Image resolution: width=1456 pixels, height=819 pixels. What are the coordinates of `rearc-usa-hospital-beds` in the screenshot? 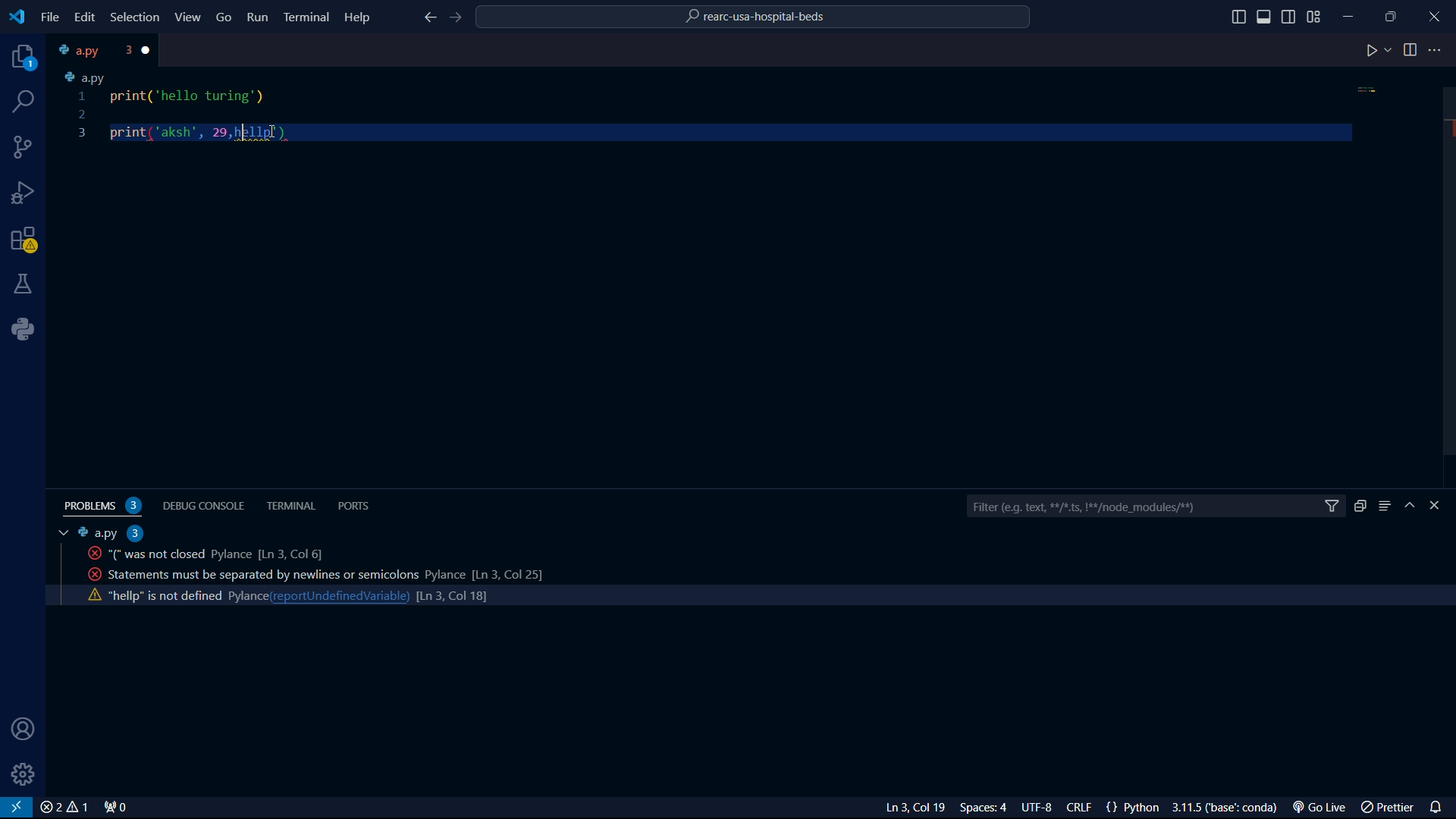 It's located at (755, 19).